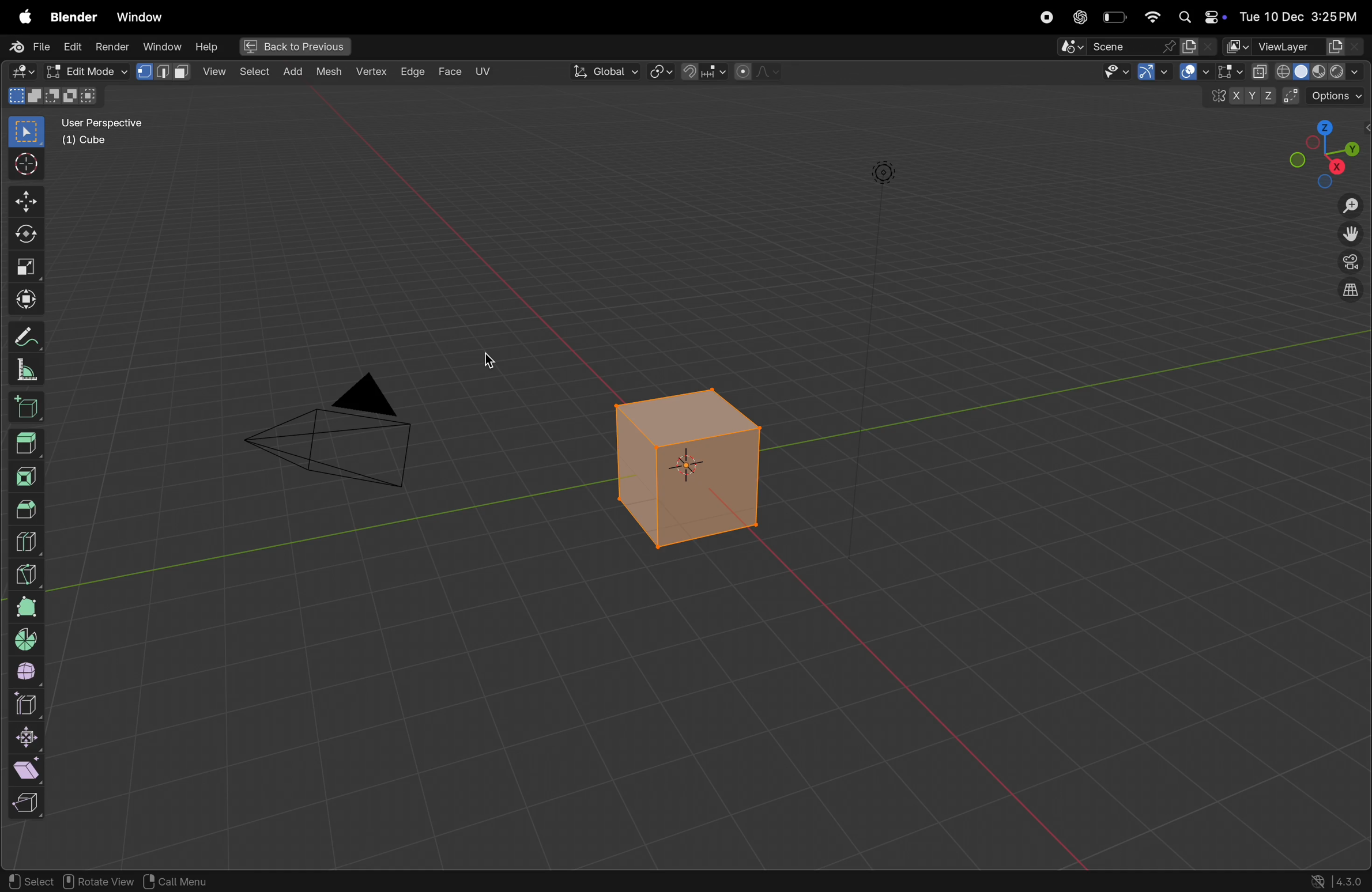 This screenshot has height=892, width=1372. Describe the element at coordinates (331, 74) in the screenshot. I see `Mesh` at that location.